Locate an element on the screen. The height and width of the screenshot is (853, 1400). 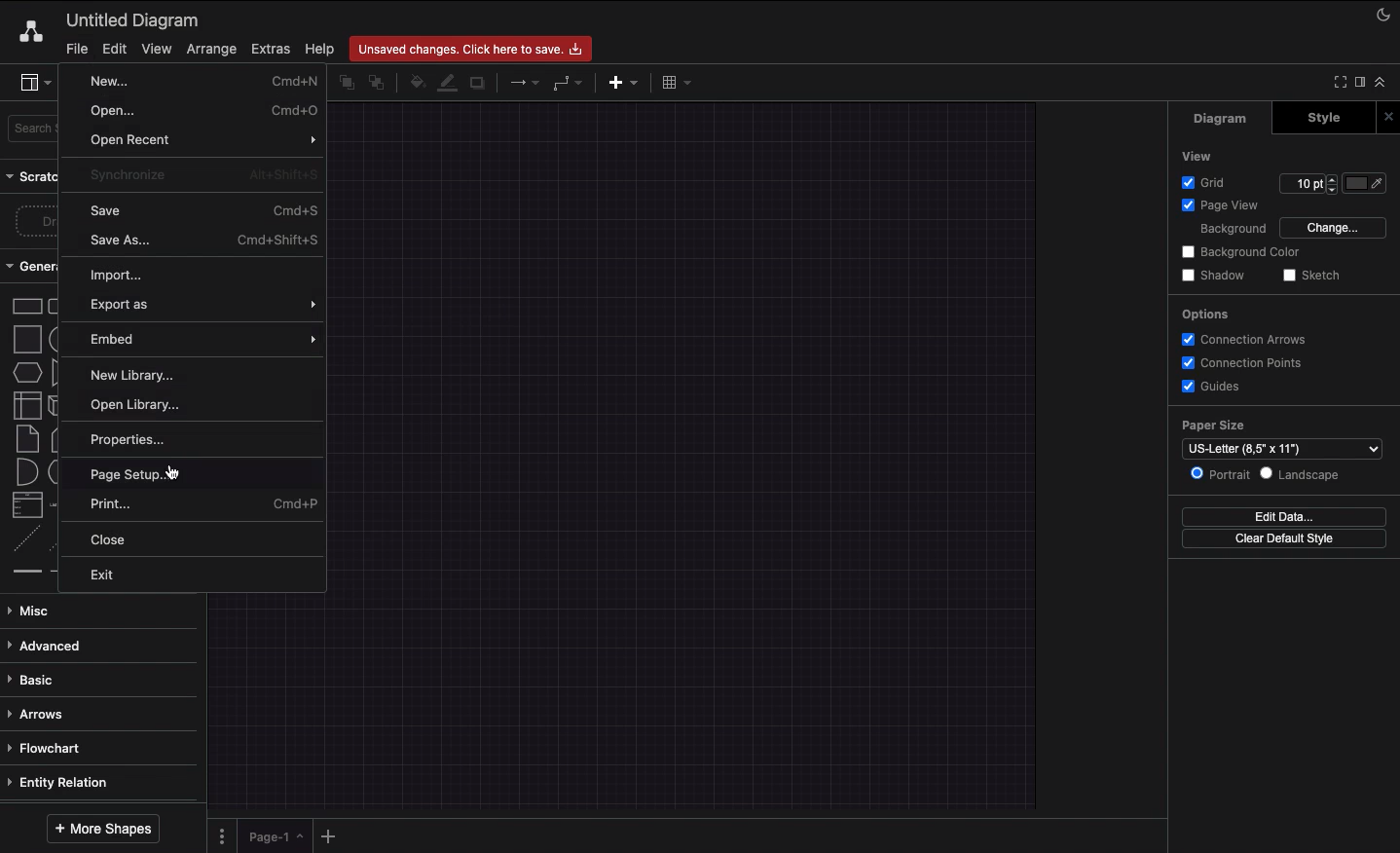
Fill color is located at coordinates (416, 85).